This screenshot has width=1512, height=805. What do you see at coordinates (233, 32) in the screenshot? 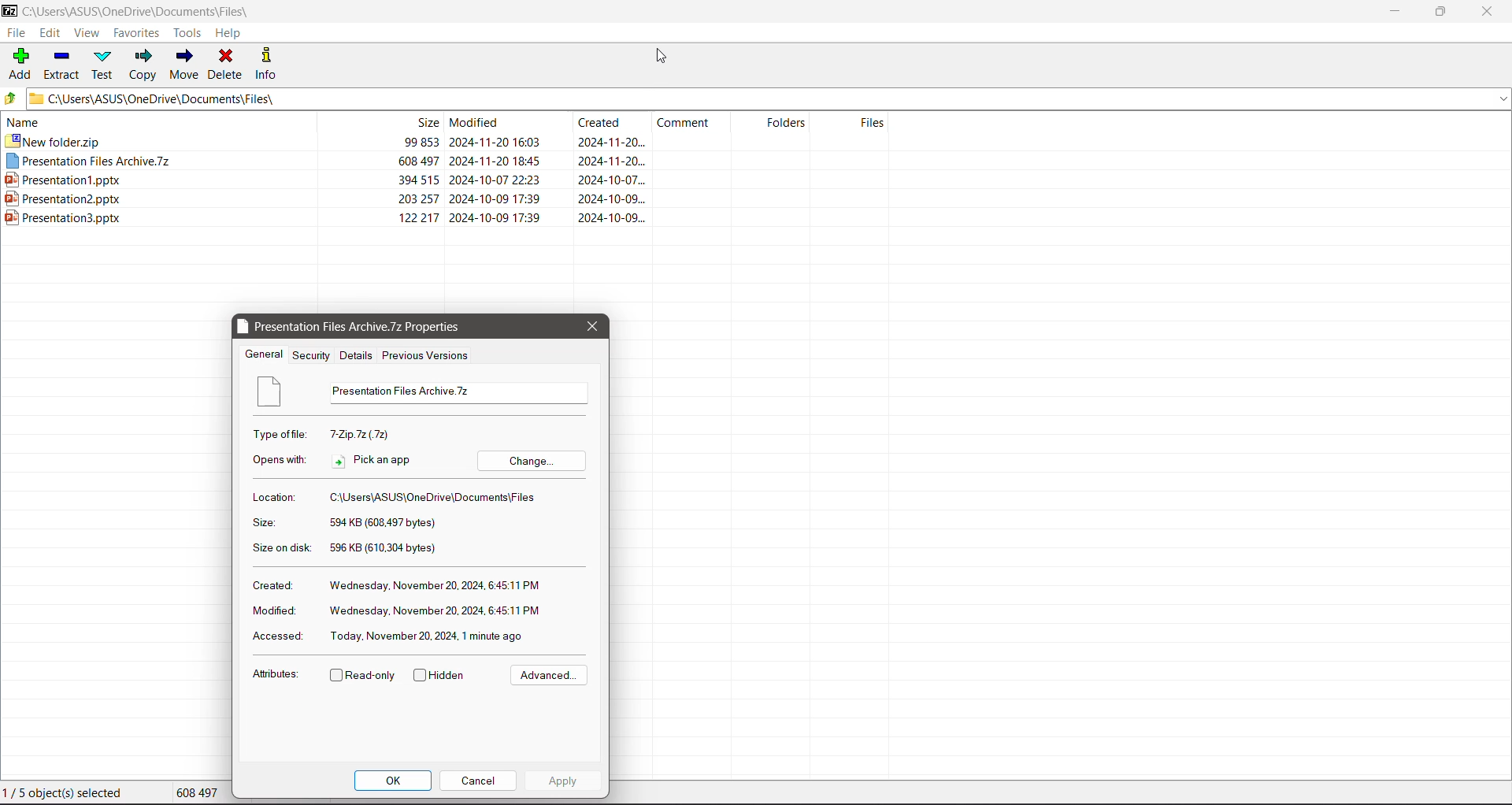
I see `Help` at bounding box center [233, 32].